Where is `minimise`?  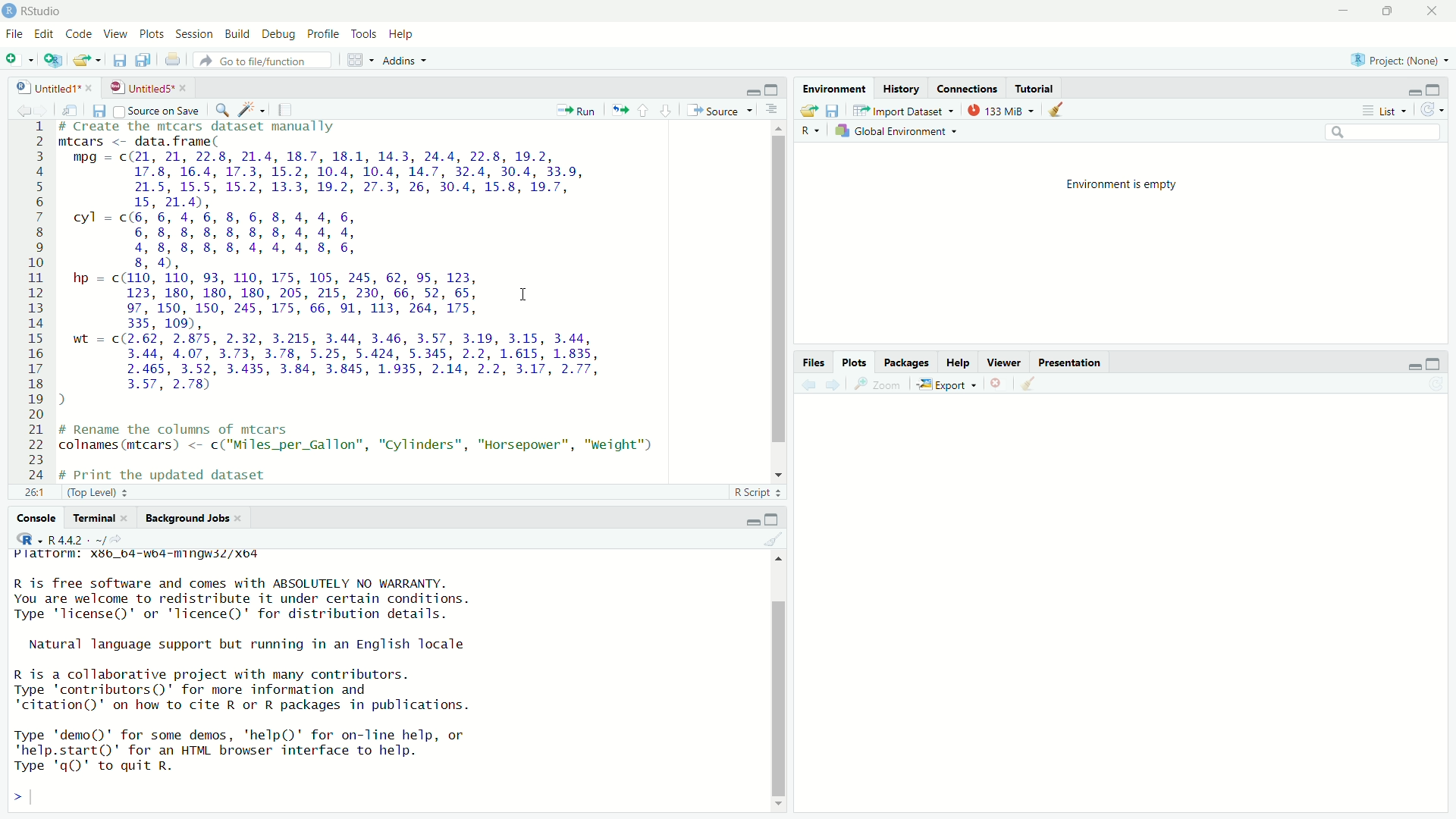 minimise is located at coordinates (753, 90).